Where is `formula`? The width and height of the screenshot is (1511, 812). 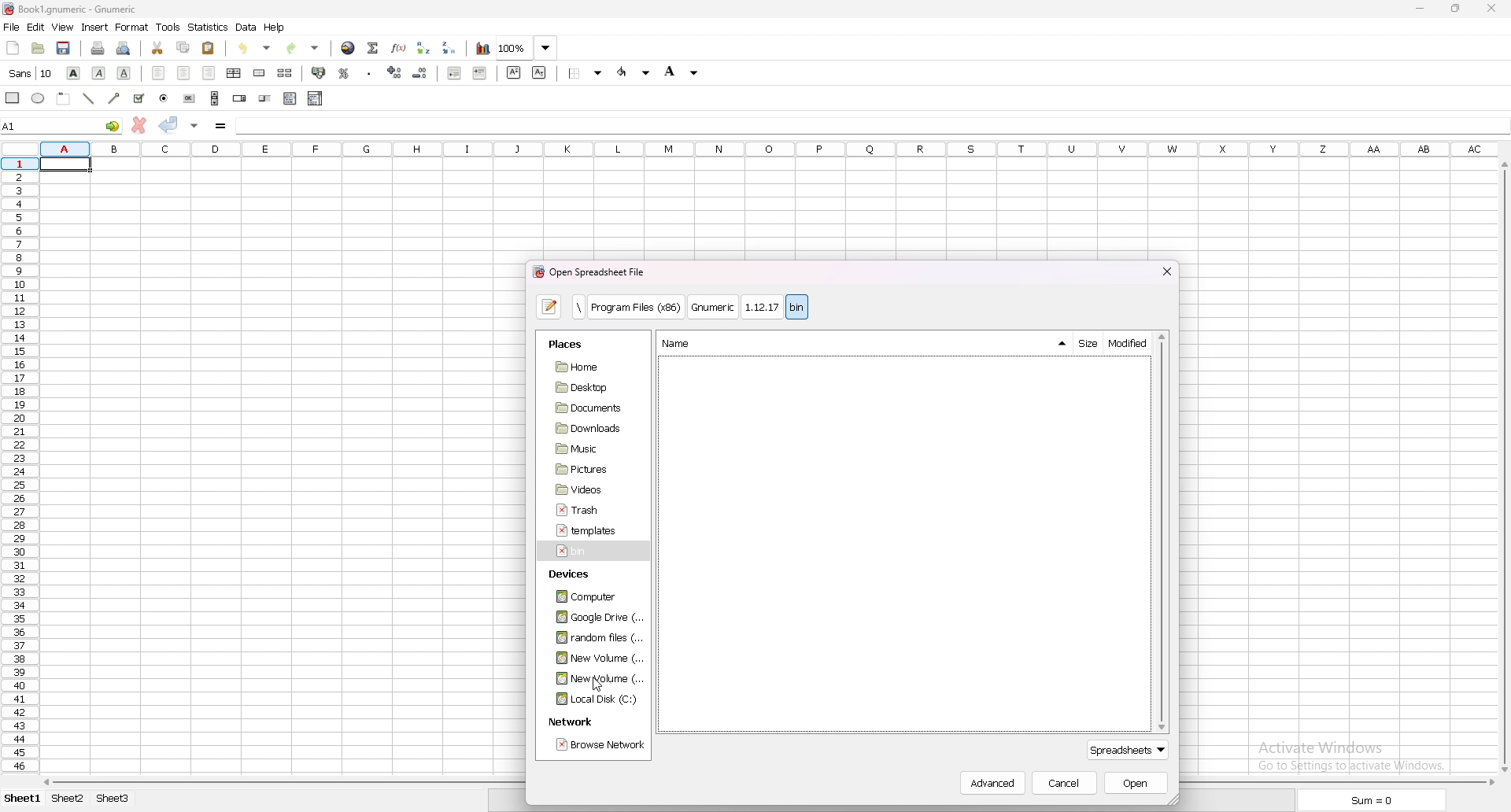 formula is located at coordinates (221, 125).